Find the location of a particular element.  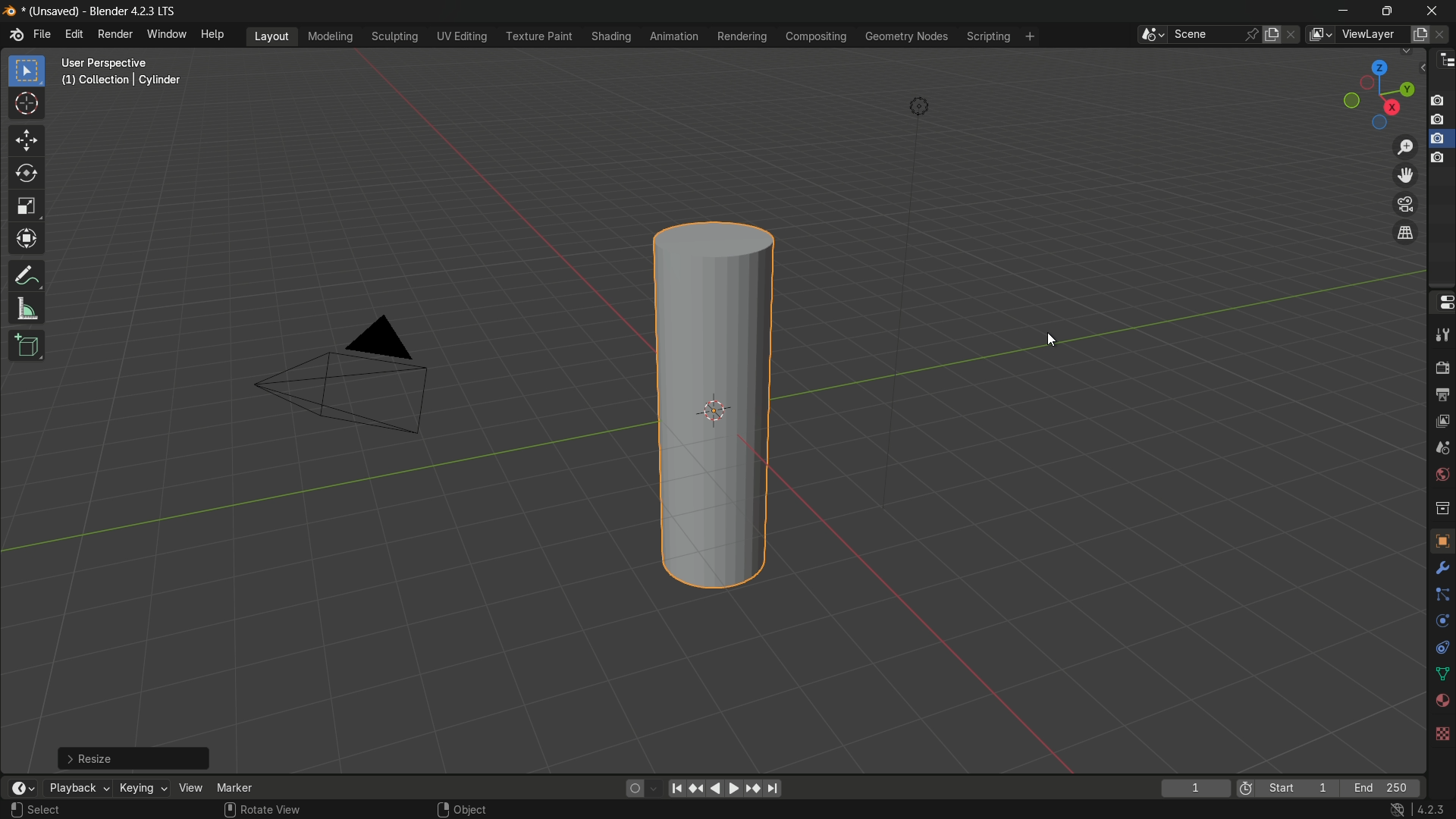

measure is located at coordinates (27, 310).